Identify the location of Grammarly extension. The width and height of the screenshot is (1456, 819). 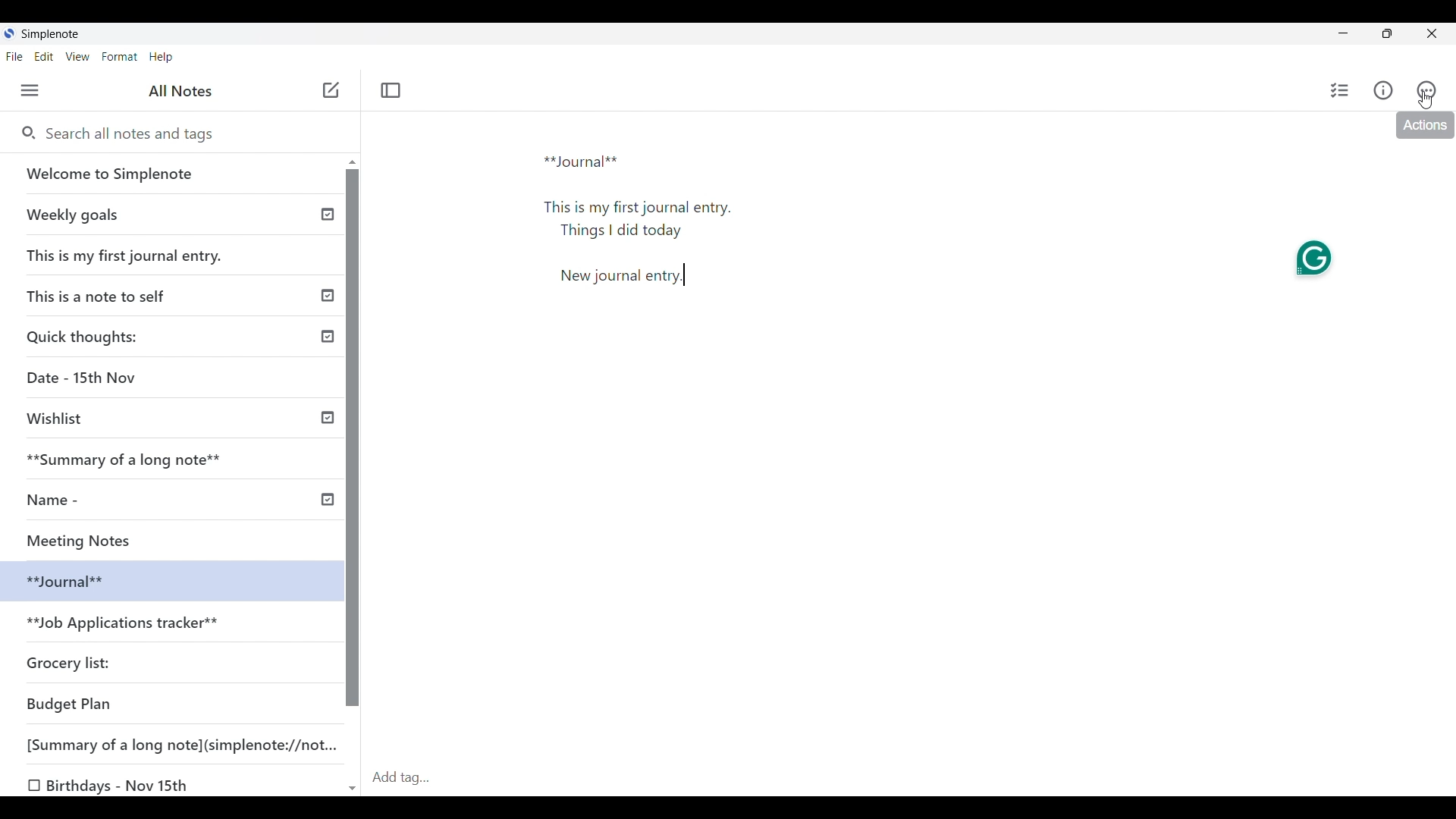
(1313, 259).